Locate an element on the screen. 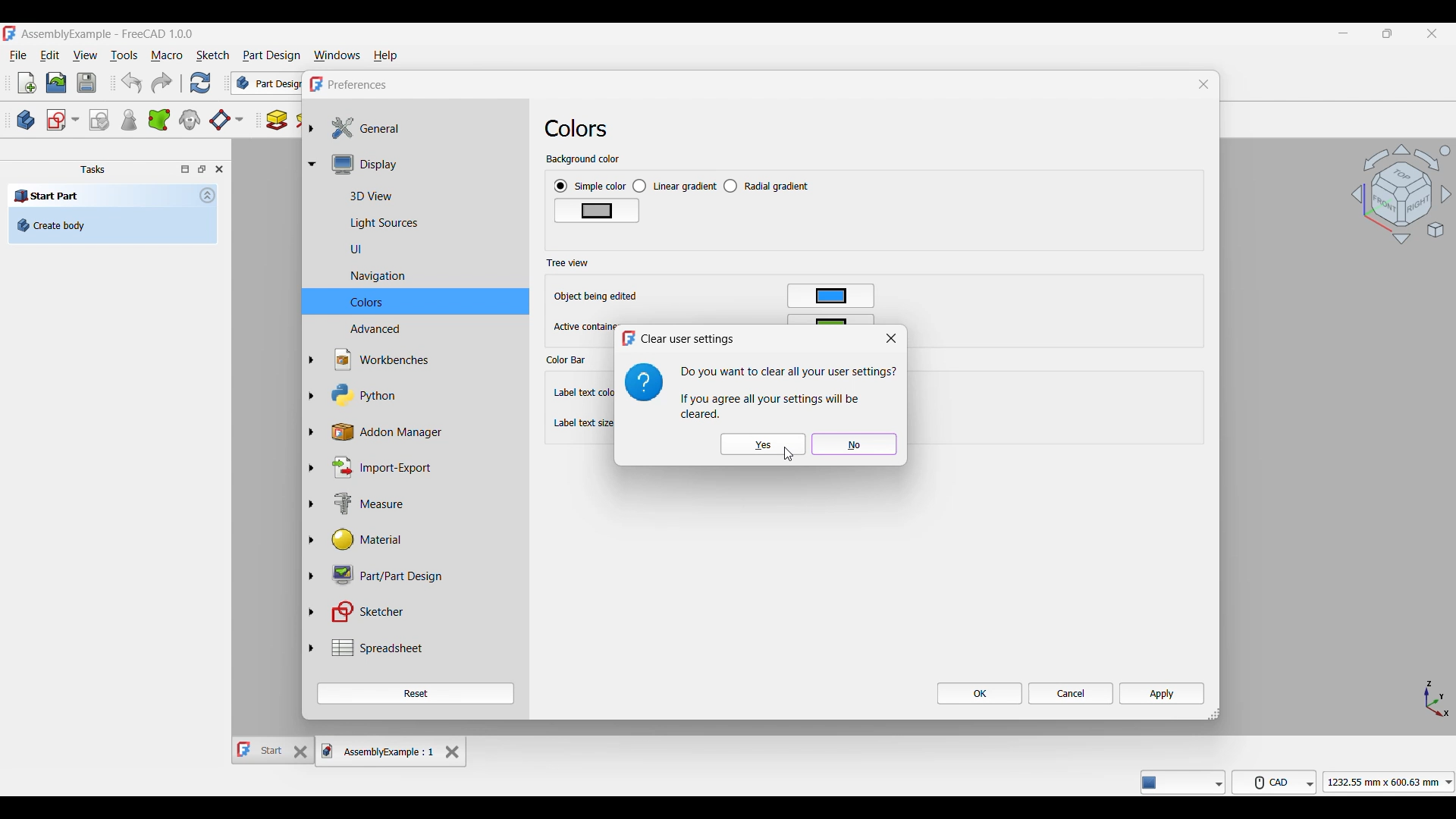  Label text size is located at coordinates (582, 423).